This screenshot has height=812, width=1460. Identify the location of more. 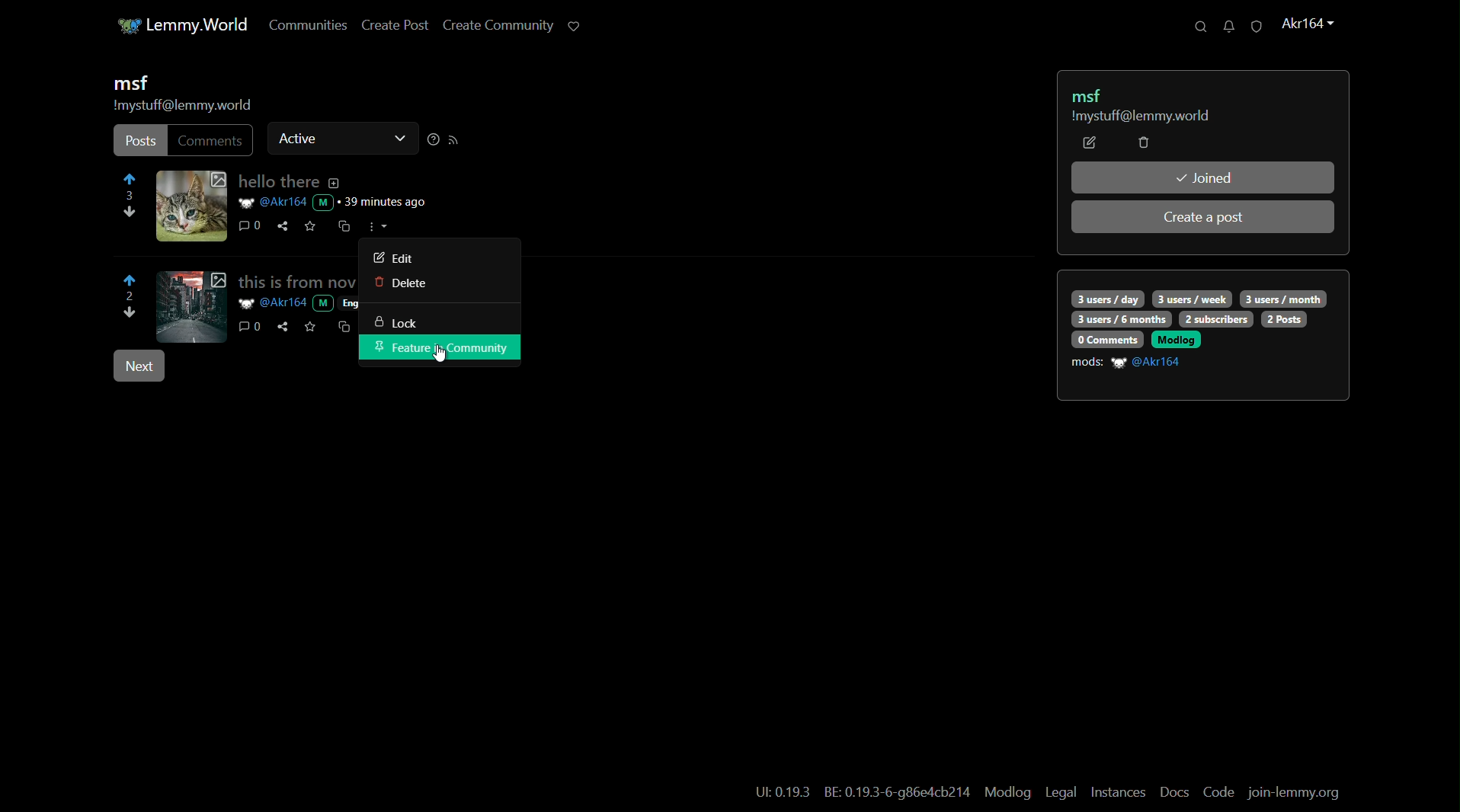
(377, 225).